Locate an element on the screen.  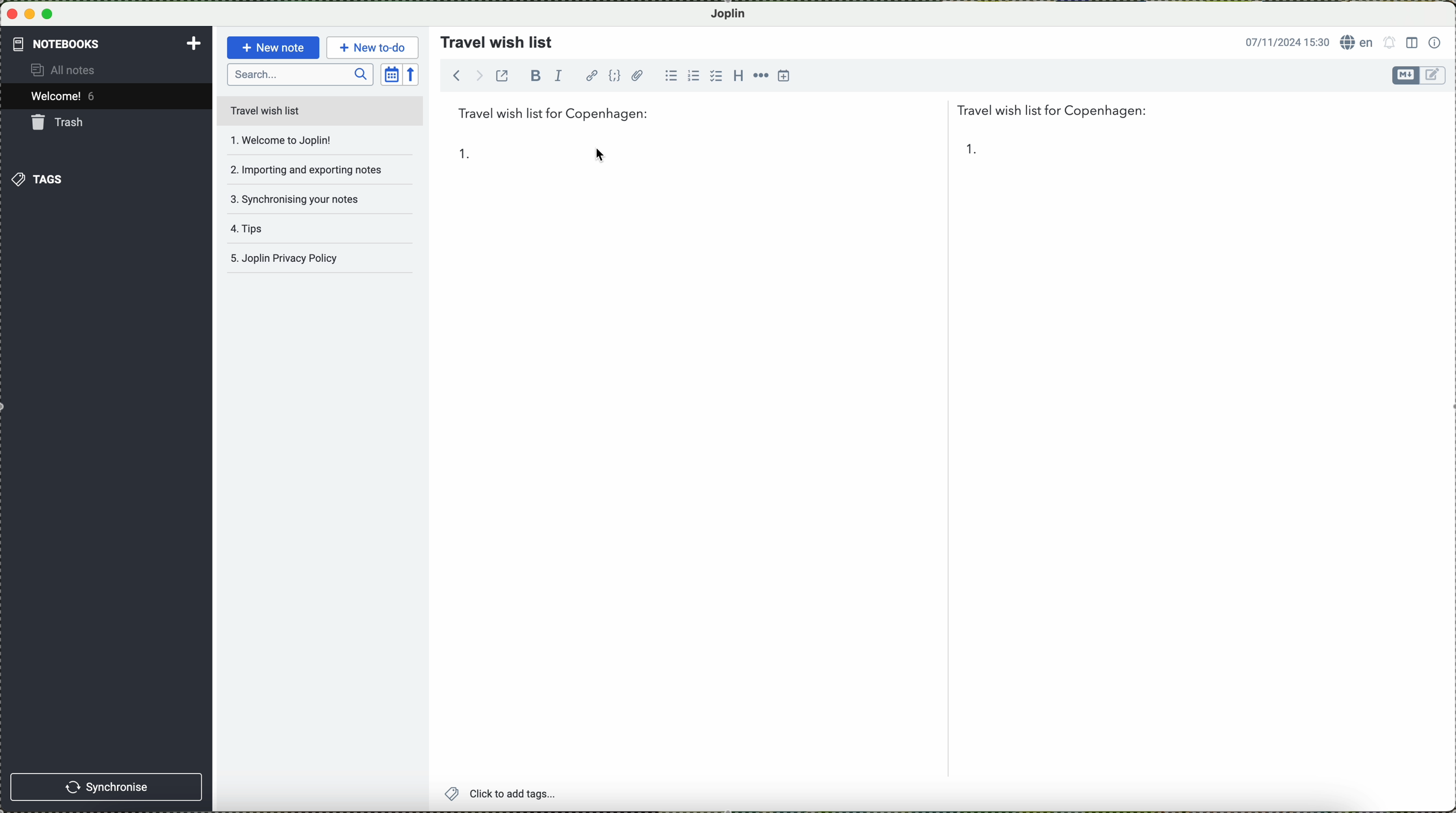
tags is located at coordinates (39, 179).